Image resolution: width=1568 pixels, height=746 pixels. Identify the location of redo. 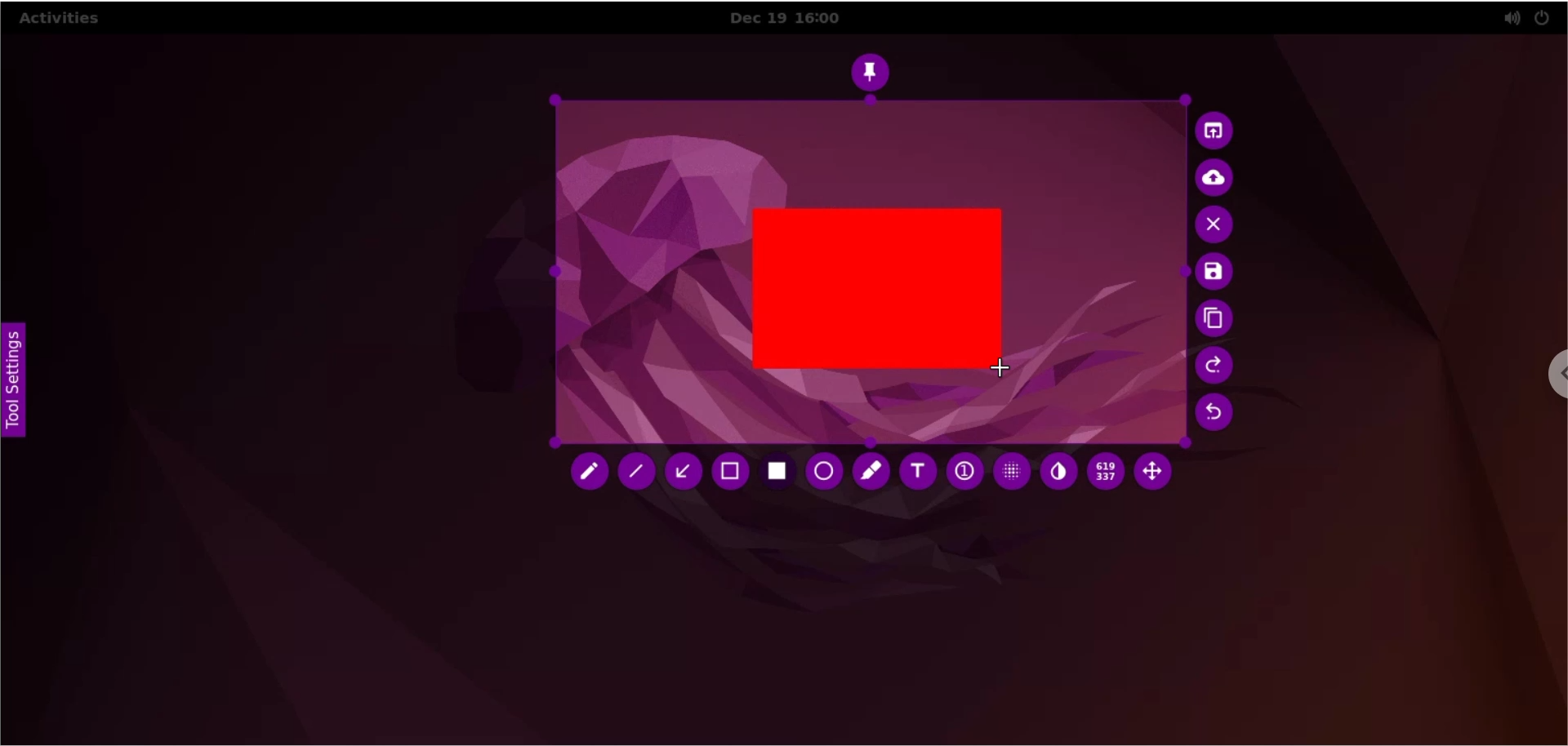
(1214, 366).